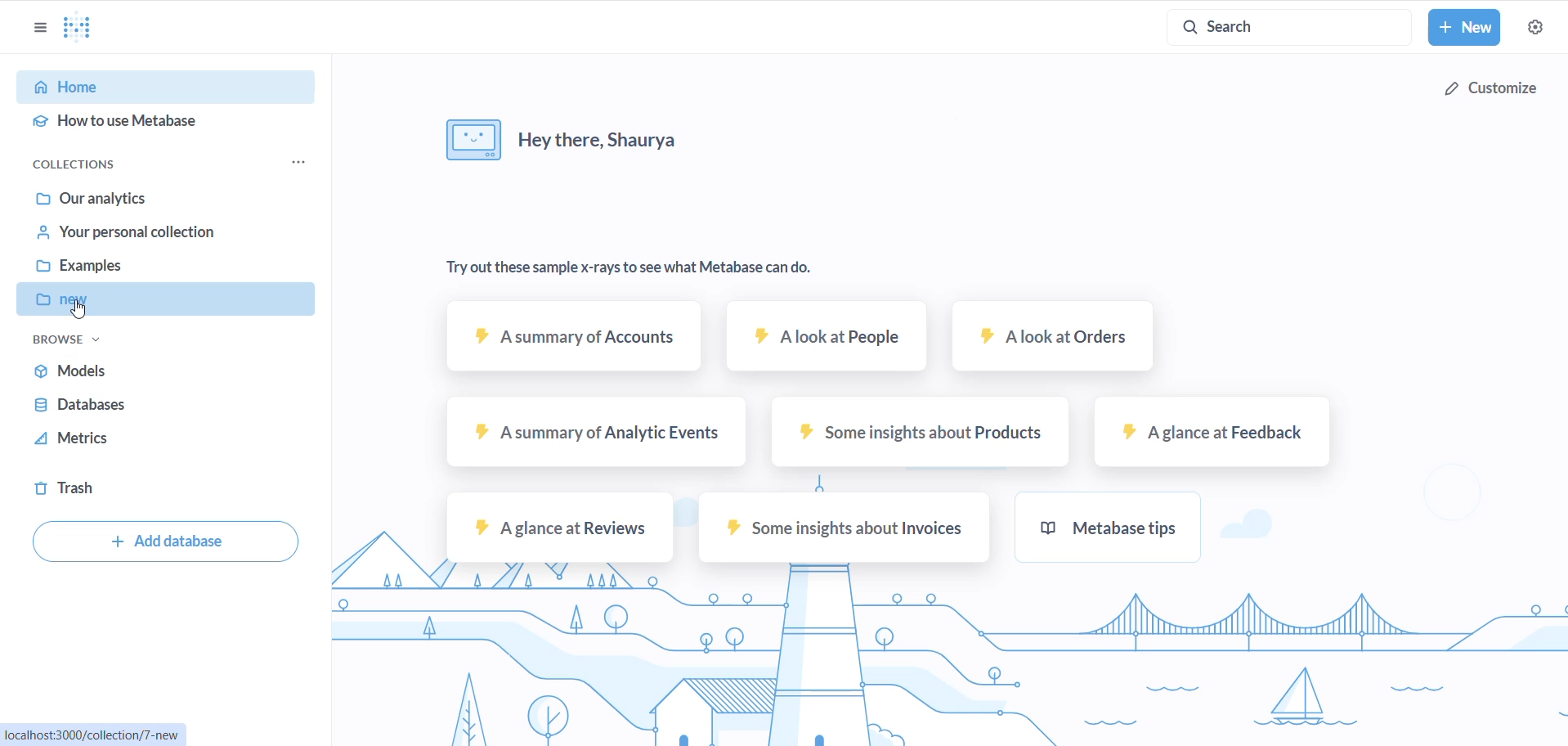  I want to click on cursor, so click(80, 313).